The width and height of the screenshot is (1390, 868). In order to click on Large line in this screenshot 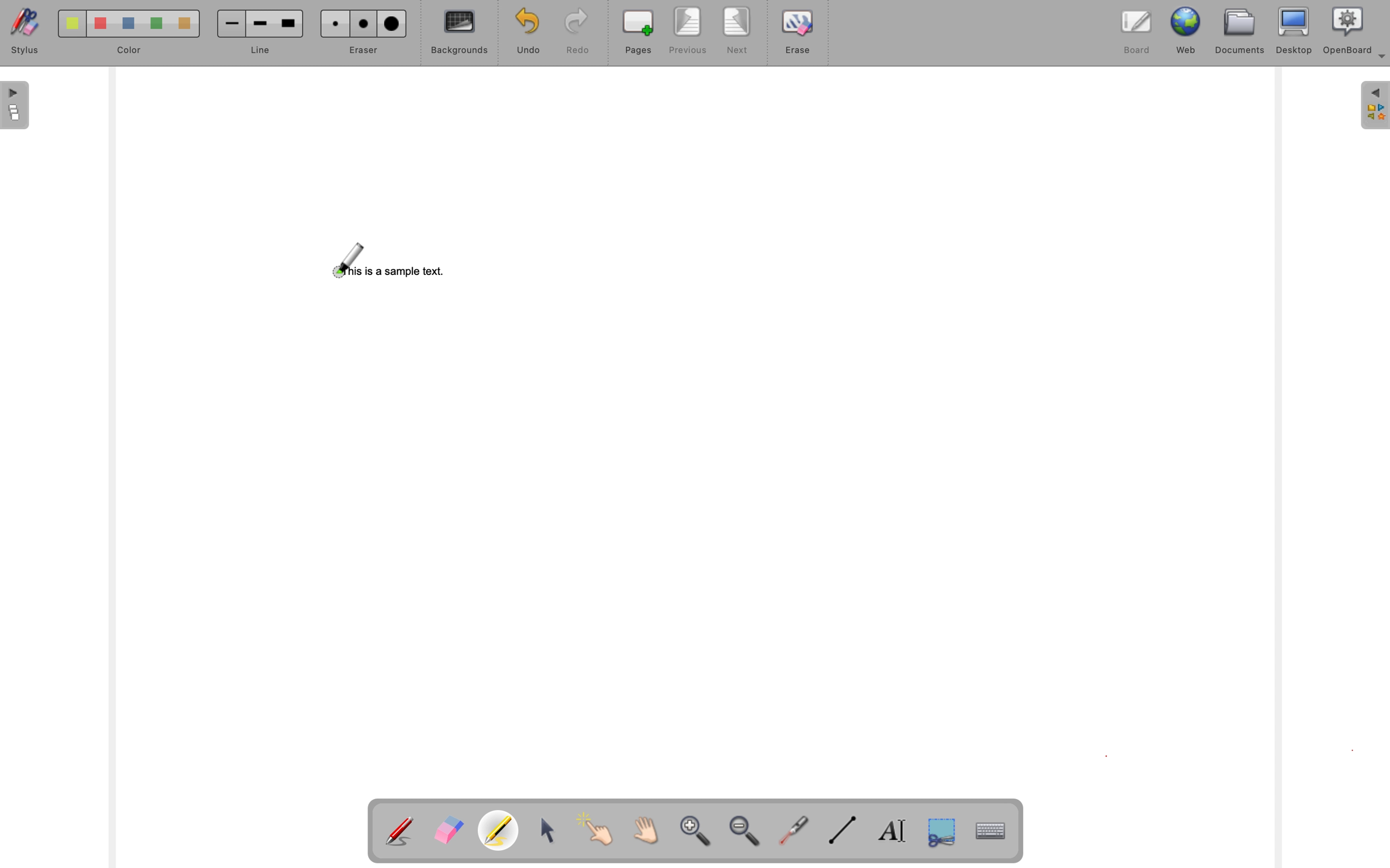, I will do `click(291, 23)`.